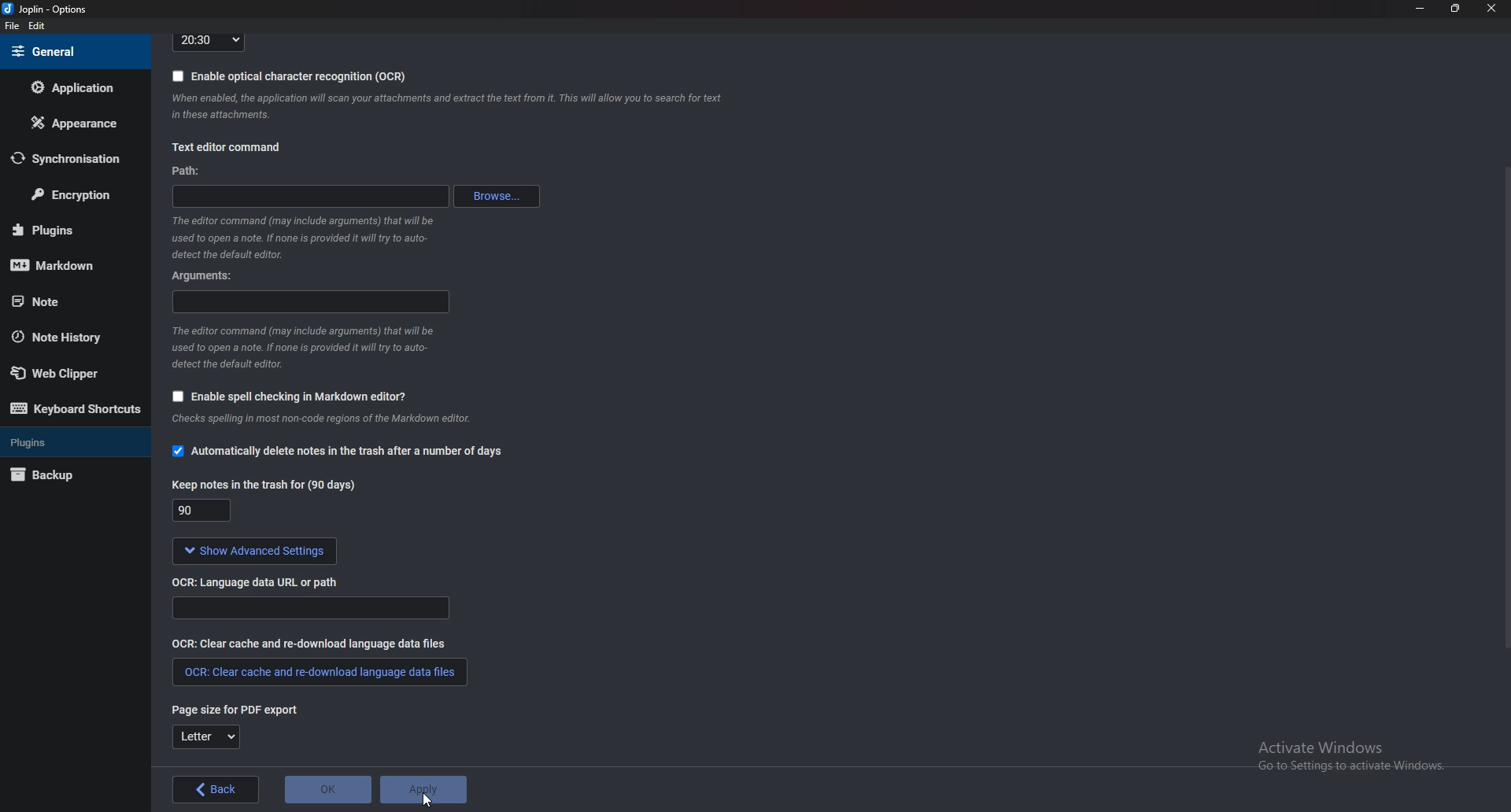 The image size is (1511, 812). I want to click on apply, so click(423, 789).